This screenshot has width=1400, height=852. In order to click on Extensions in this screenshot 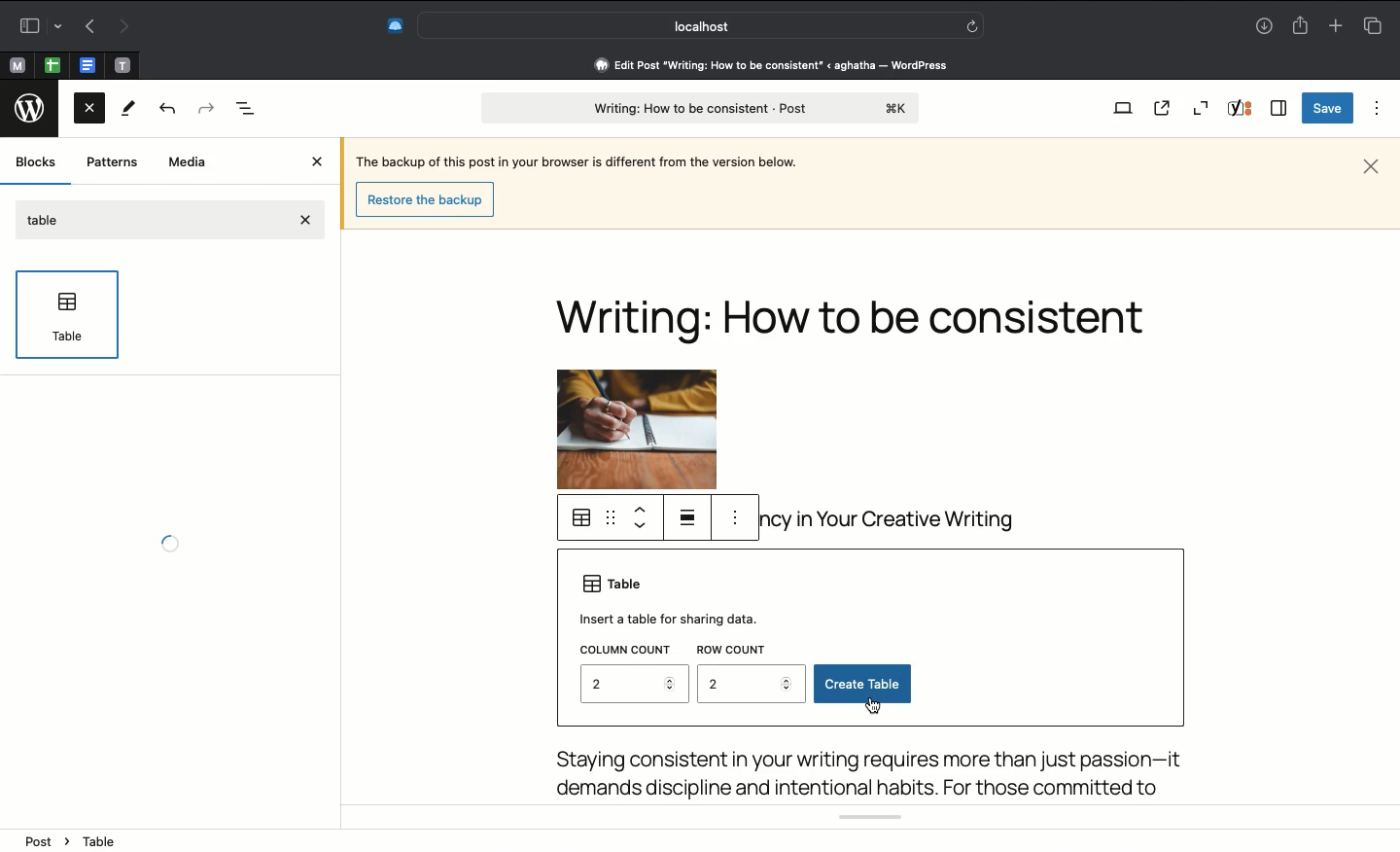, I will do `click(384, 27)`.